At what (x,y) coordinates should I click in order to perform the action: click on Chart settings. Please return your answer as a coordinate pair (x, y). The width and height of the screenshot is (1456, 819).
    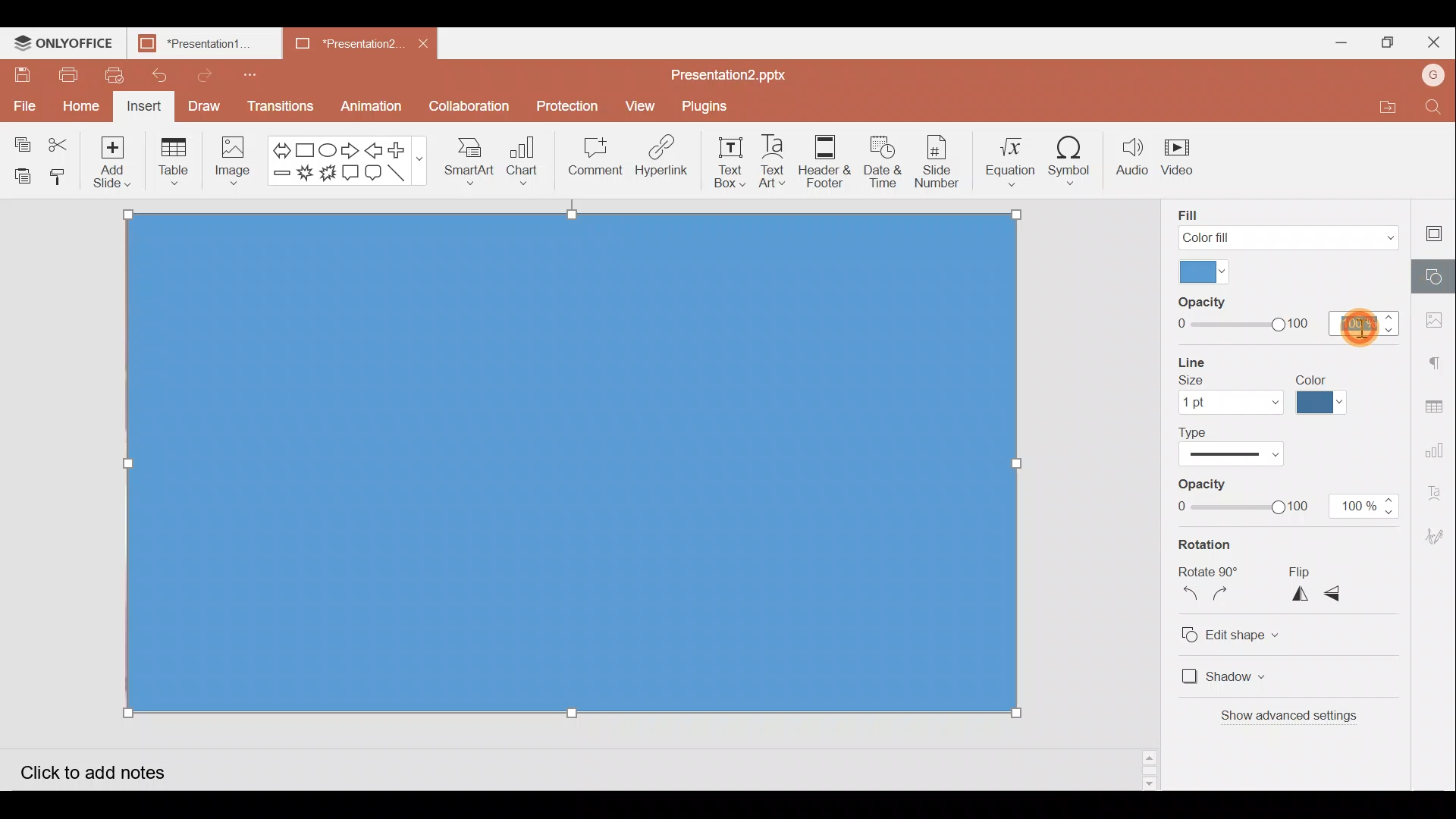
    Looking at the image, I should click on (1439, 444).